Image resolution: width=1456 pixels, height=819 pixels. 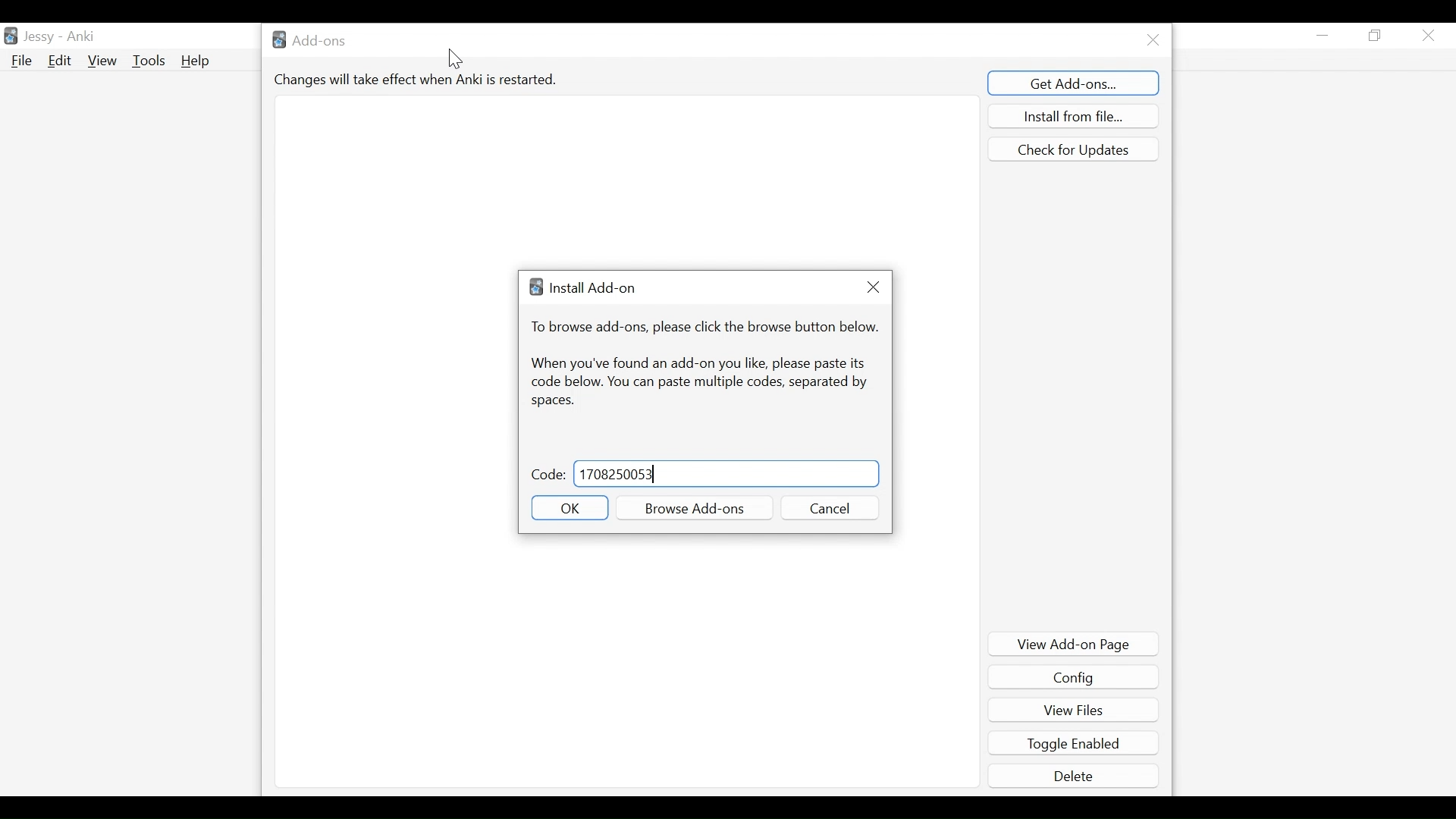 I want to click on Close, so click(x=1152, y=39).